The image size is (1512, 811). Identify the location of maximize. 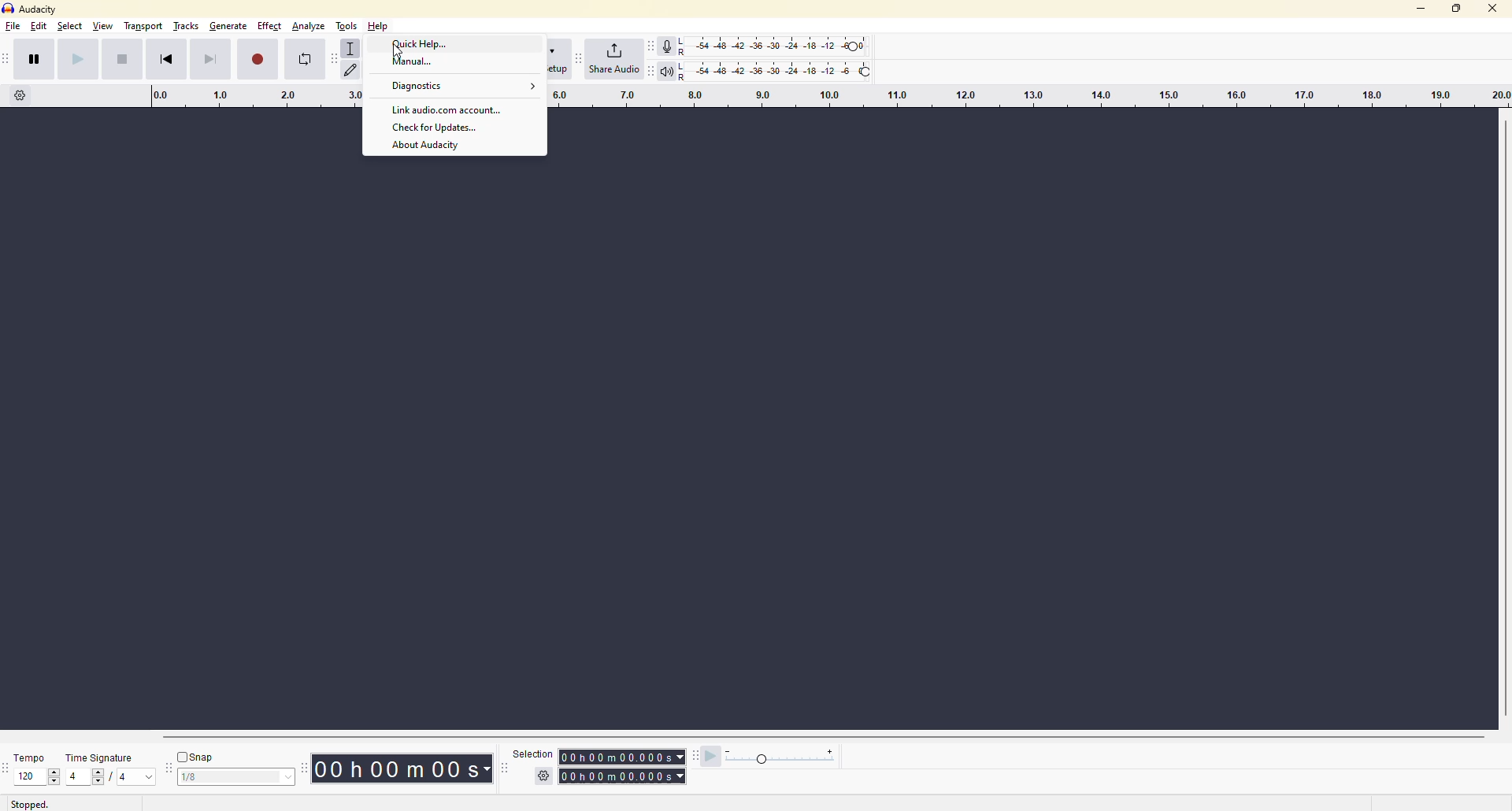
(1455, 13).